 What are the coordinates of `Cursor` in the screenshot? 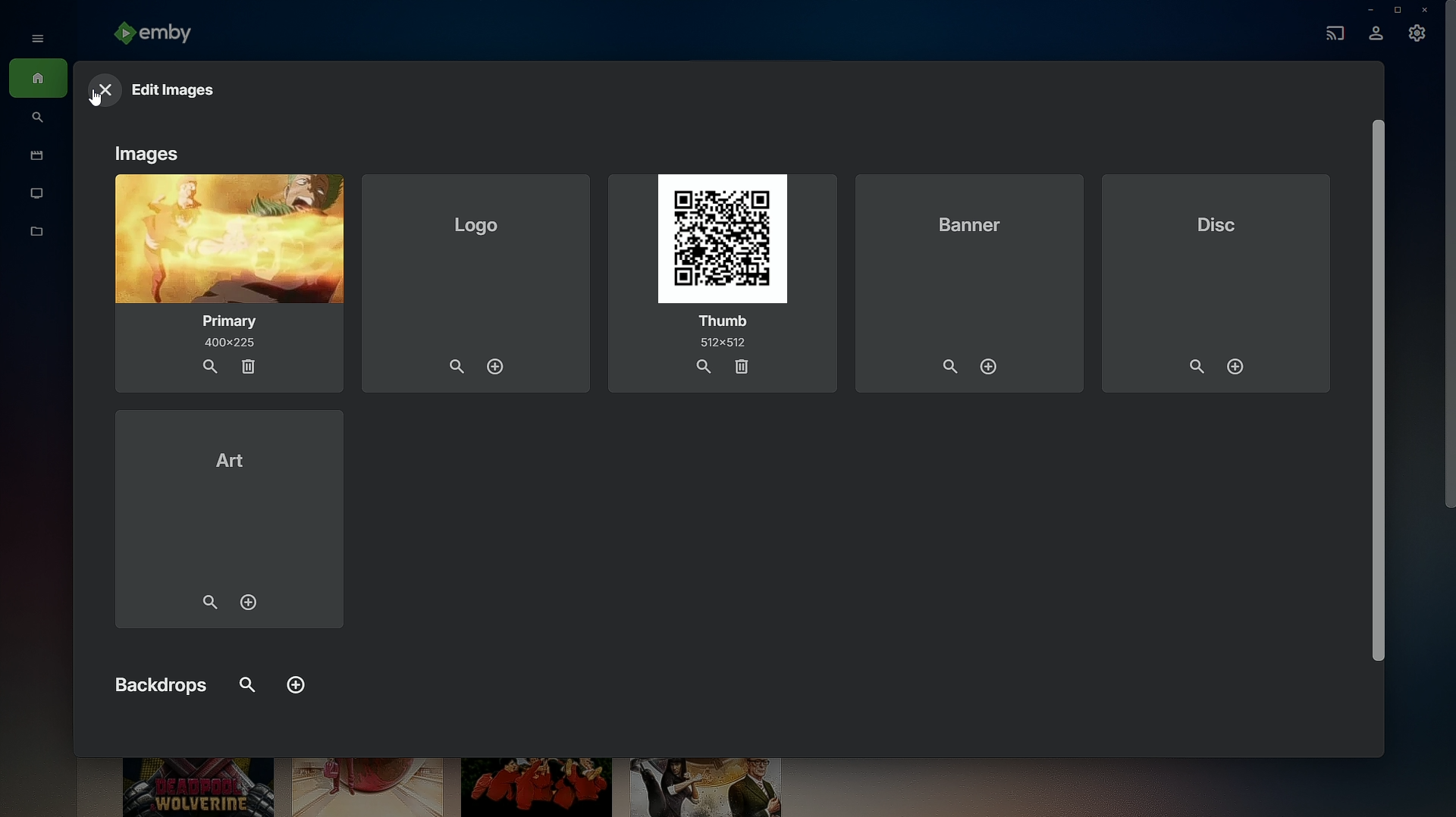 It's located at (102, 96).